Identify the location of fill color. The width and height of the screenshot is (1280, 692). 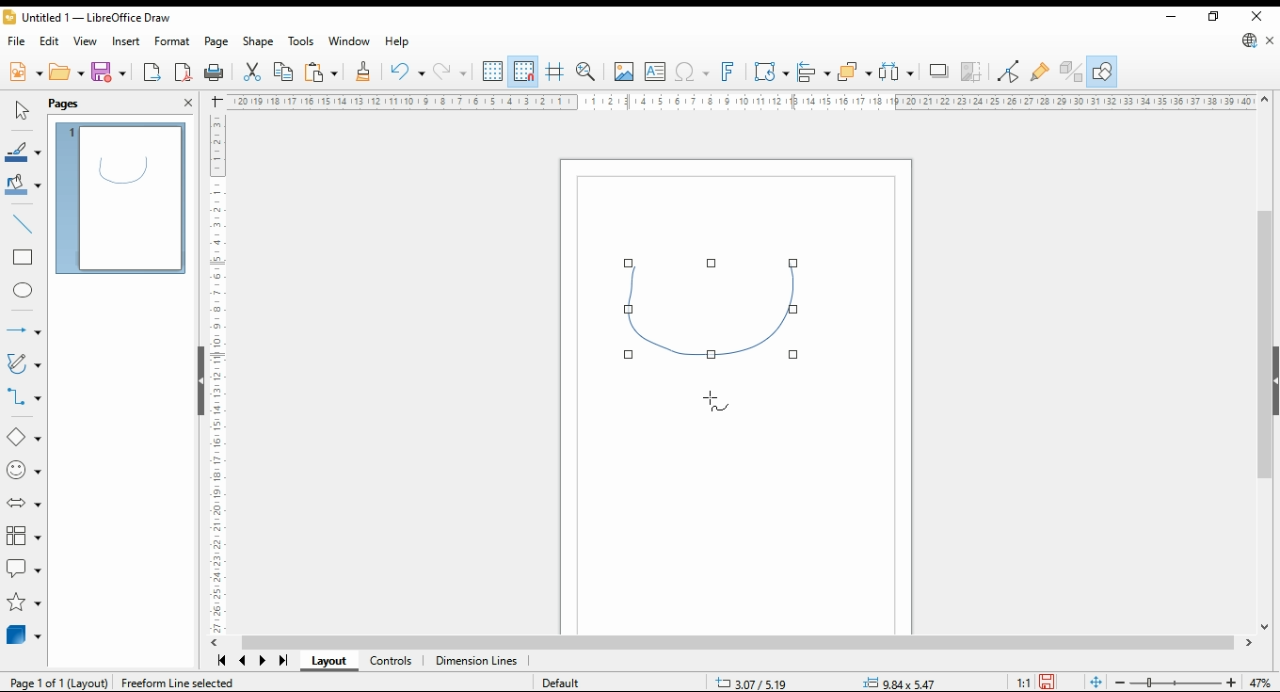
(23, 183).